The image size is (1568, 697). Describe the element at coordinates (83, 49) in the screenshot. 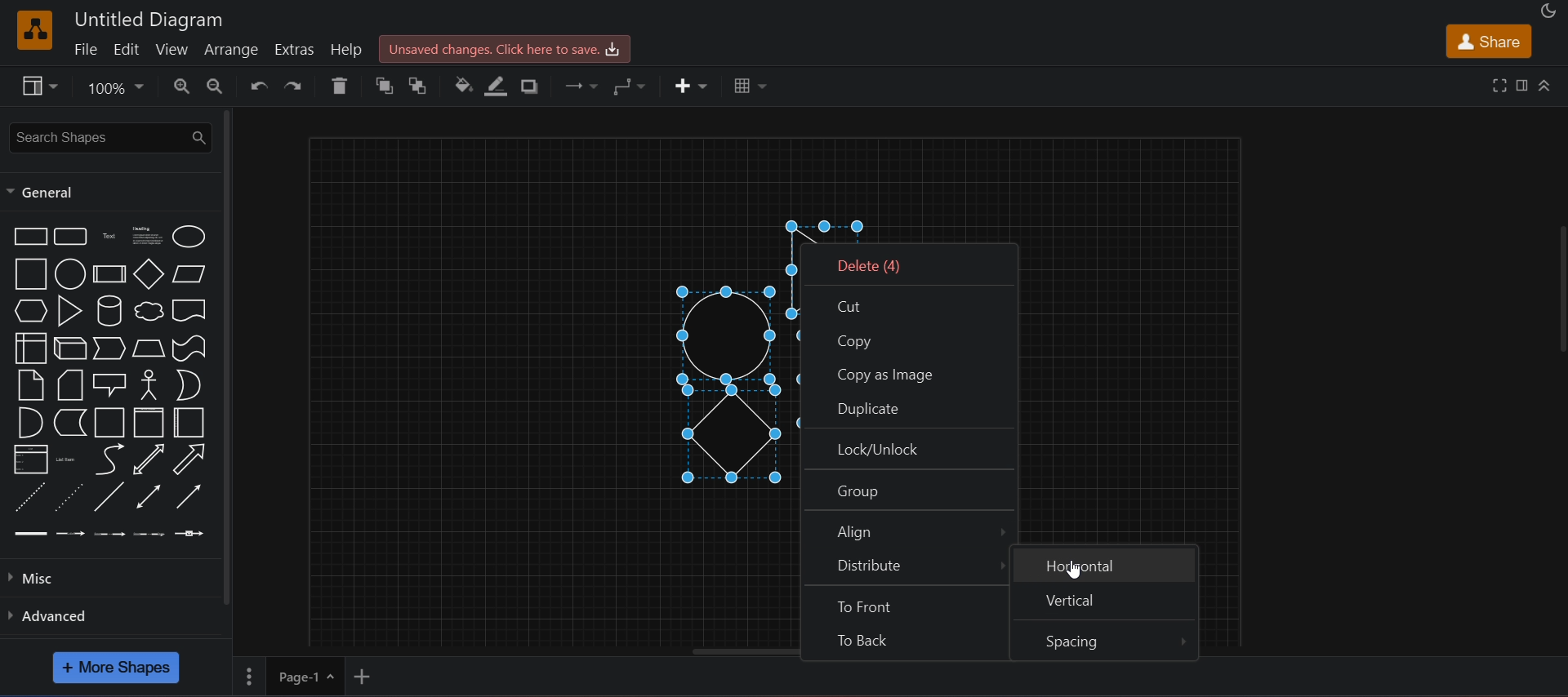

I see `file` at that location.